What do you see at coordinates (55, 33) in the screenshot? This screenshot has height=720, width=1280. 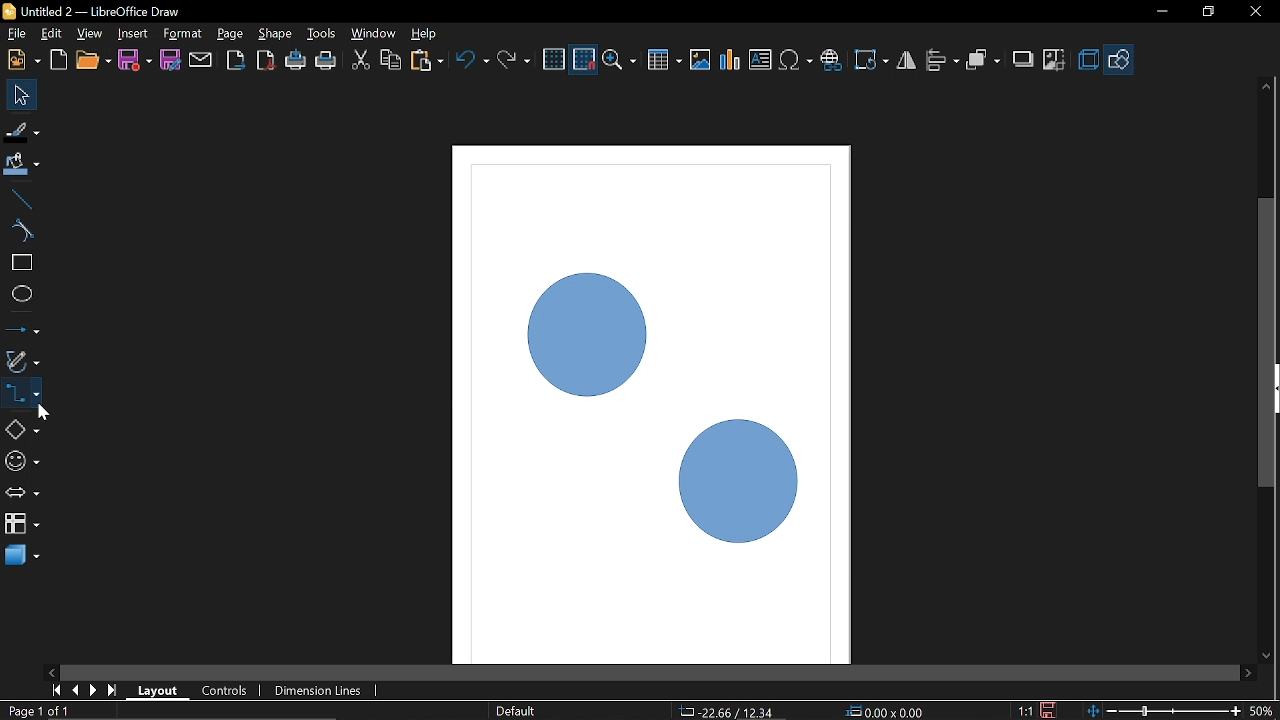 I see `edit` at bounding box center [55, 33].